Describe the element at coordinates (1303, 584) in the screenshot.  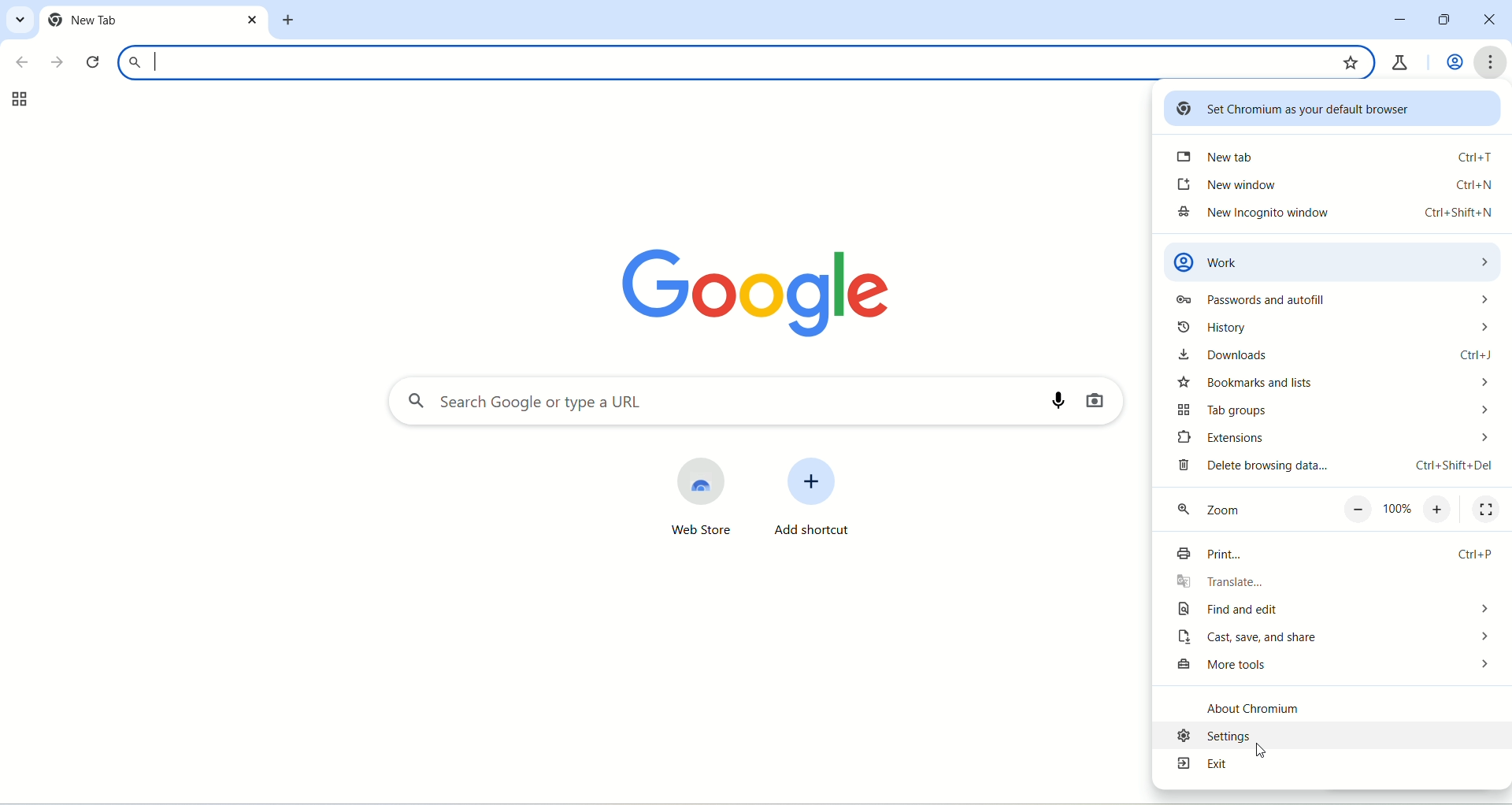
I see `translate` at that location.